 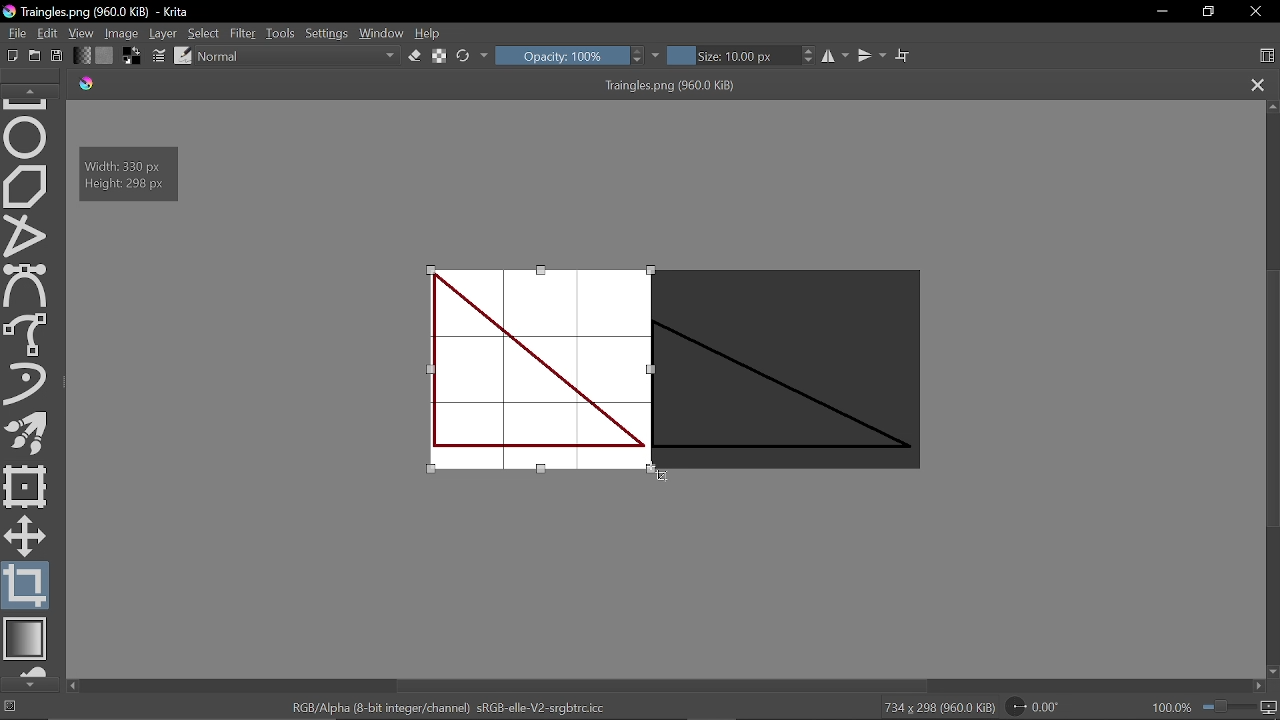 What do you see at coordinates (160, 57) in the screenshot?
I see `Edit brush settings` at bounding box center [160, 57].